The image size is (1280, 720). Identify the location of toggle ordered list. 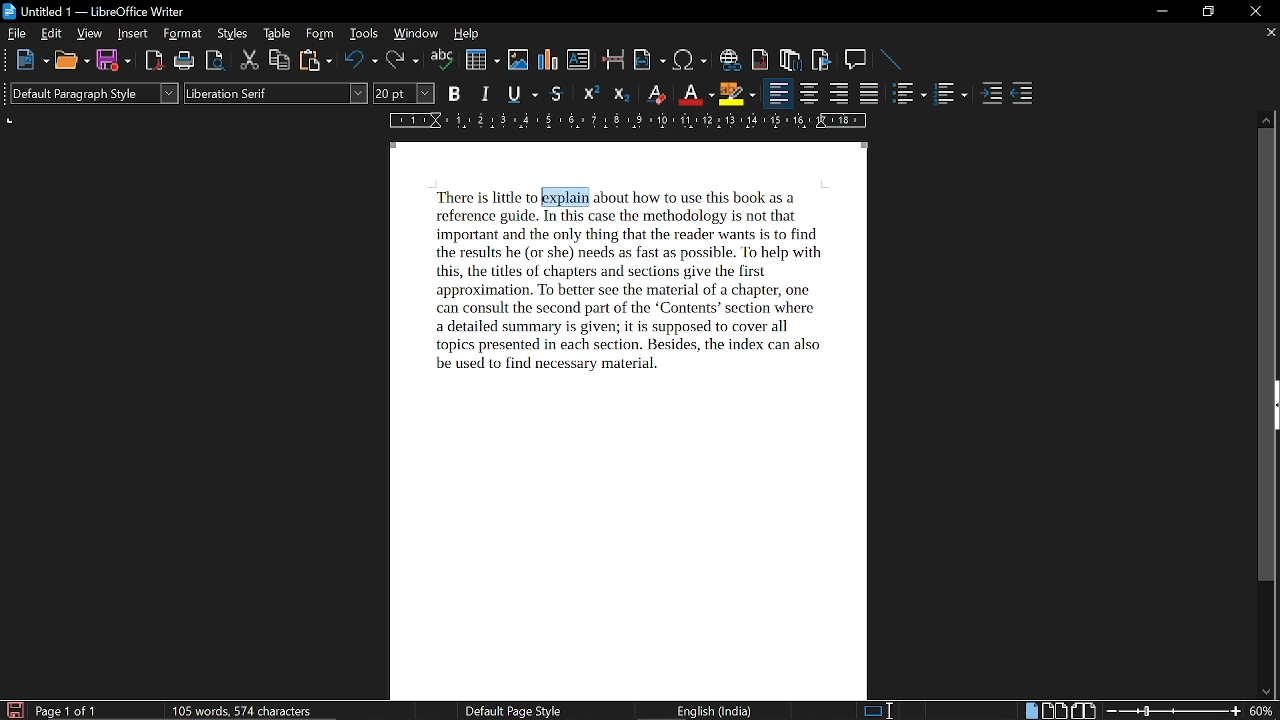
(910, 94).